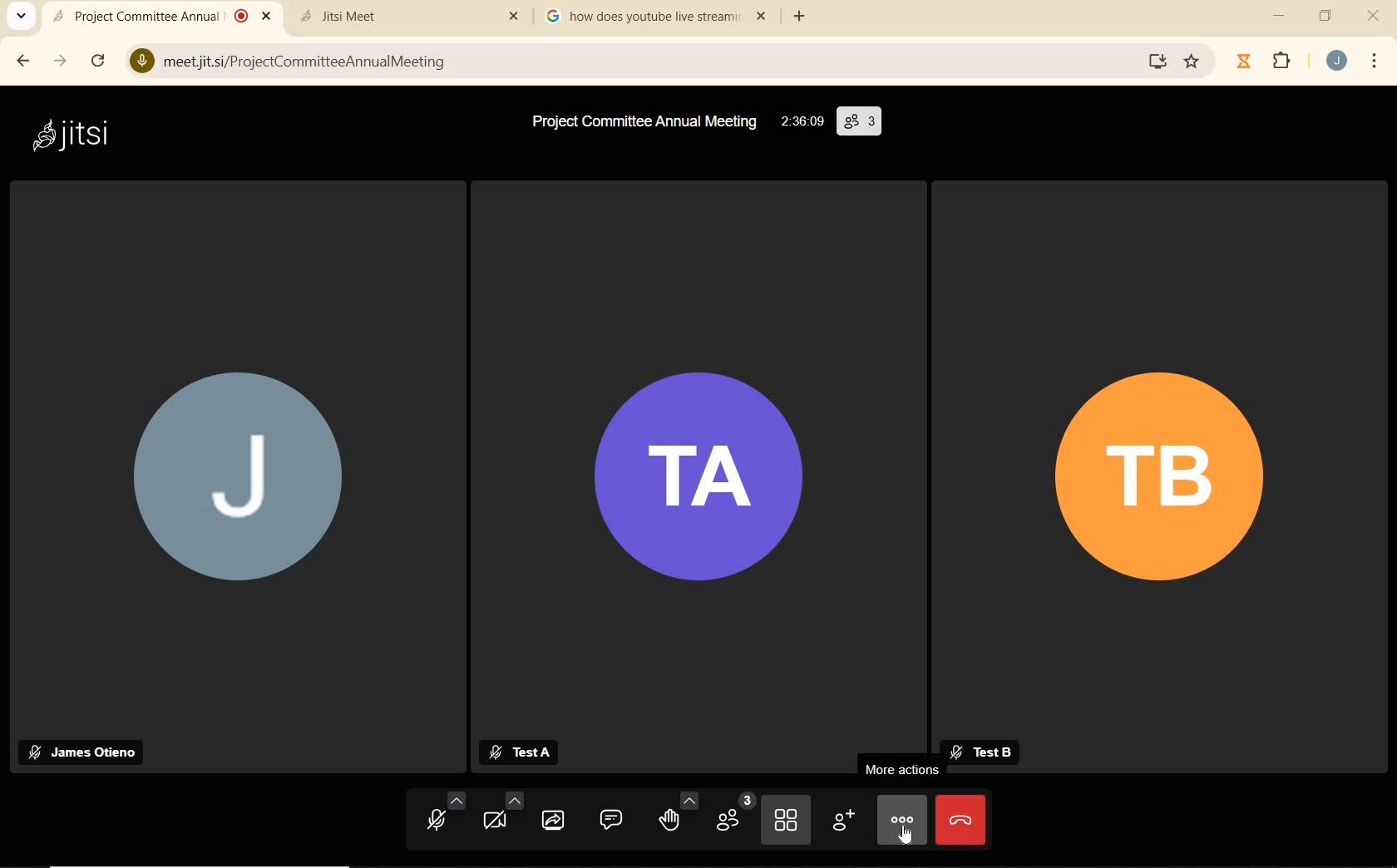  I want to click on START SCREEN SHARING, so click(553, 820).